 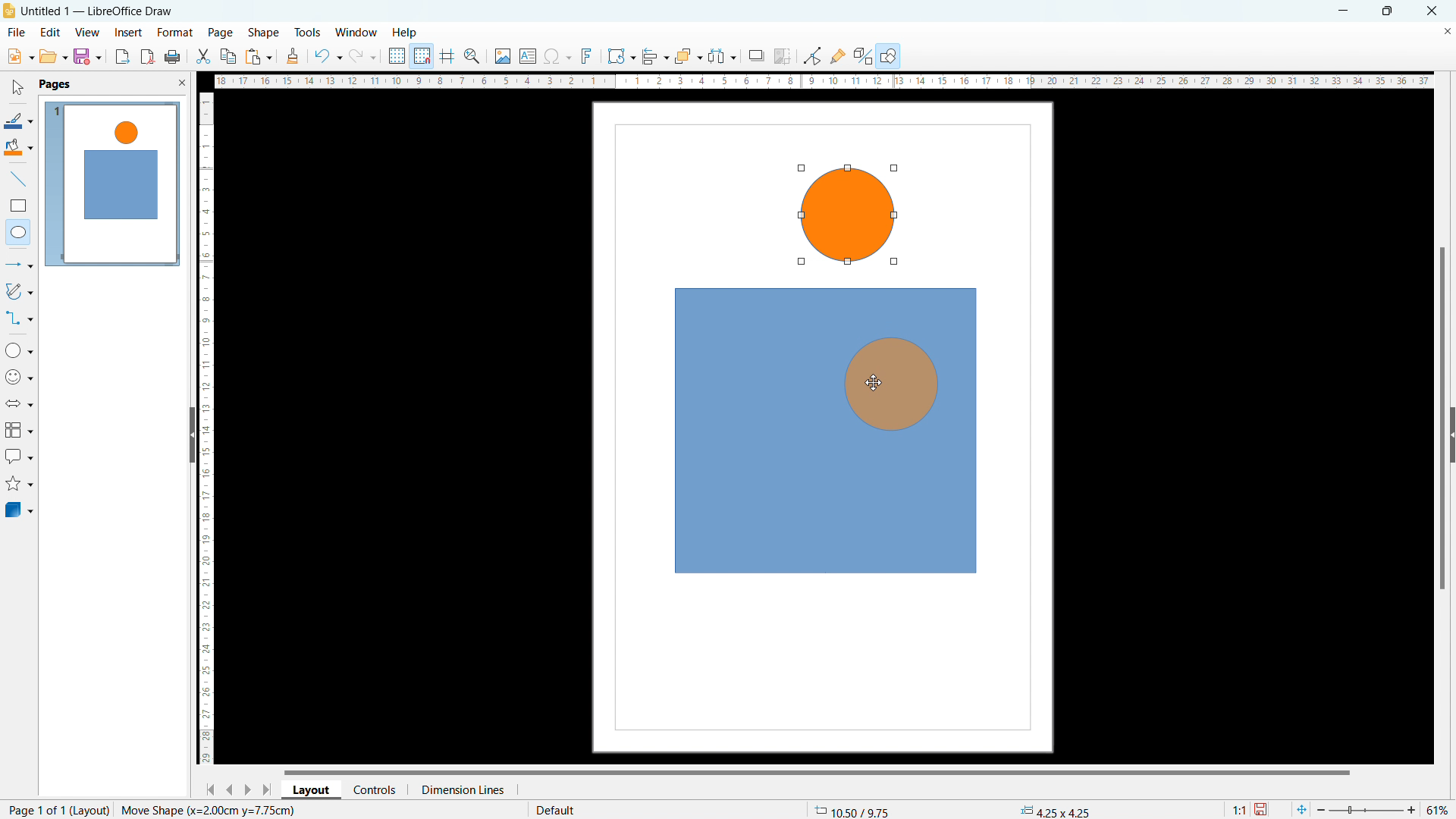 What do you see at coordinates (1443, 420) in the screenshot?
I see `vertical scrollbar` at bounding box center [1443, 420].